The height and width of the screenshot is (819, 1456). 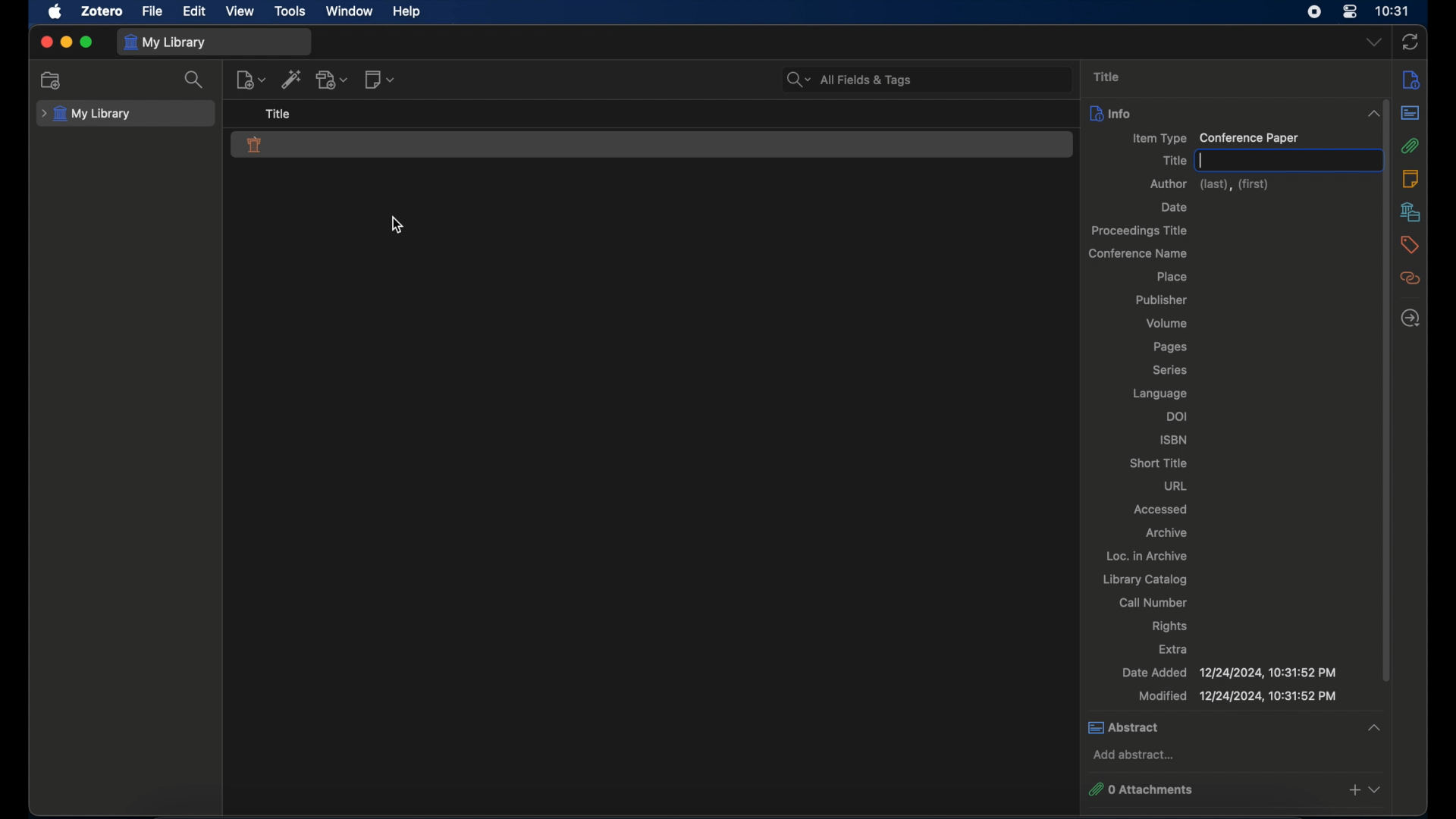 What do you see at coordinates (1393, 11) in the screenshot?
I see `time` at bounding box center [1393, 11].